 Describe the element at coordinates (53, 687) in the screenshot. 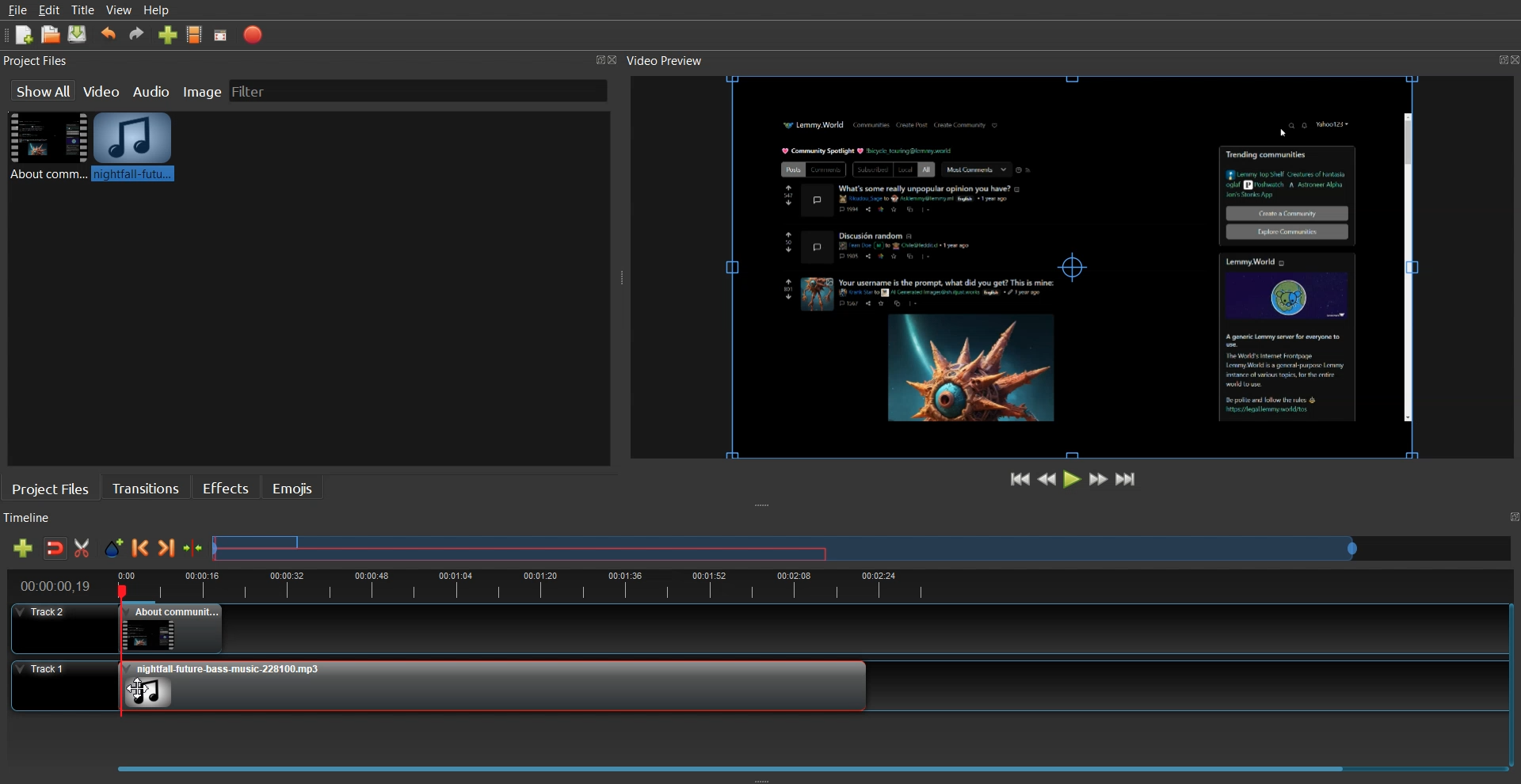

I see `Track 1` at that location.